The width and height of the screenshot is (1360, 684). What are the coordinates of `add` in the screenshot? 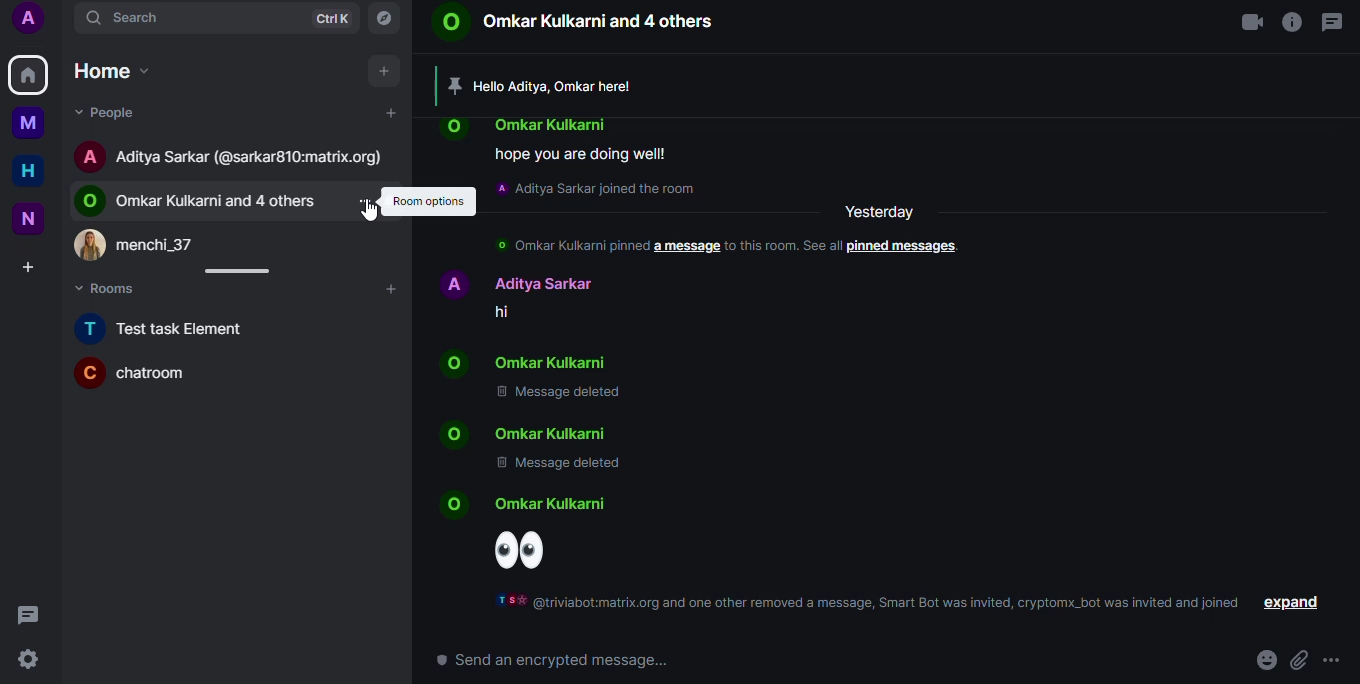 It's located at (394, 113).